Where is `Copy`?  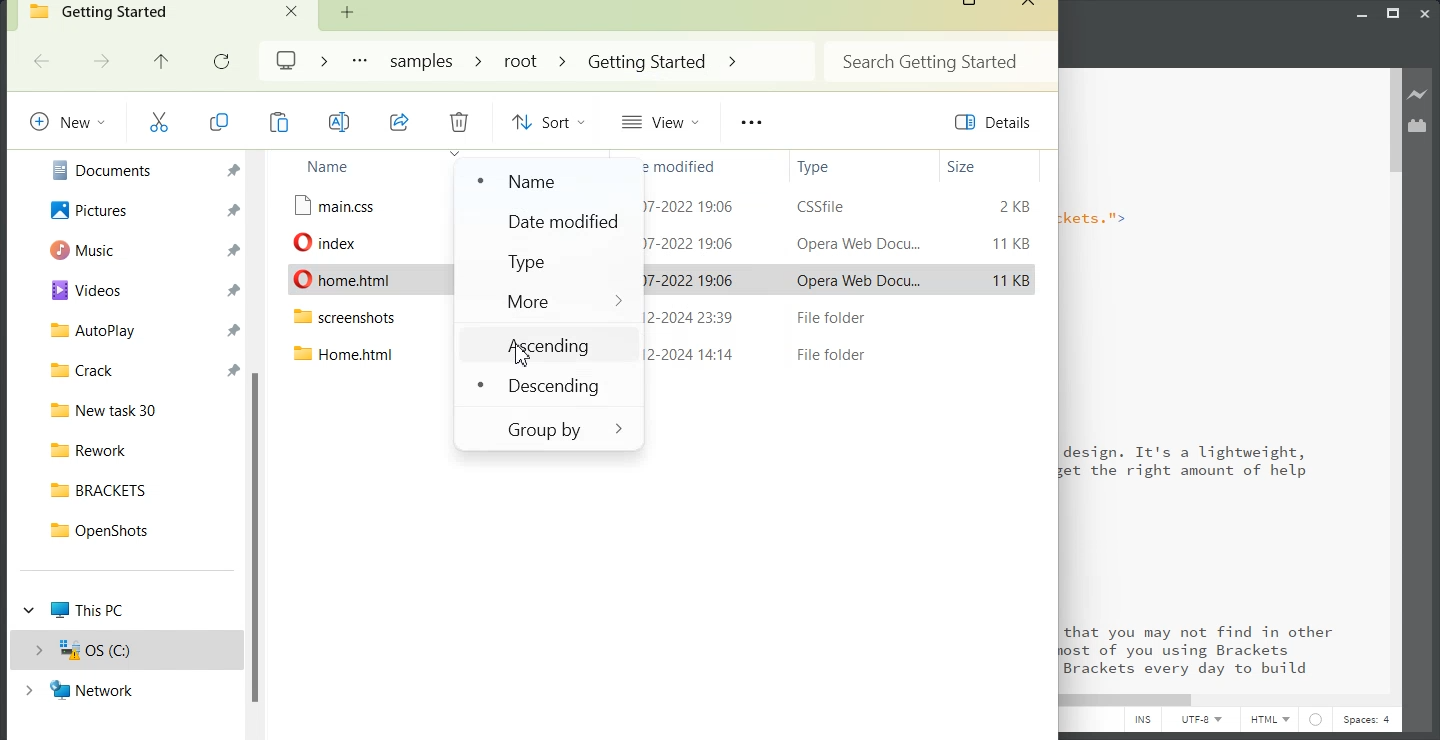 Copy is located at coordinates (218, 122).